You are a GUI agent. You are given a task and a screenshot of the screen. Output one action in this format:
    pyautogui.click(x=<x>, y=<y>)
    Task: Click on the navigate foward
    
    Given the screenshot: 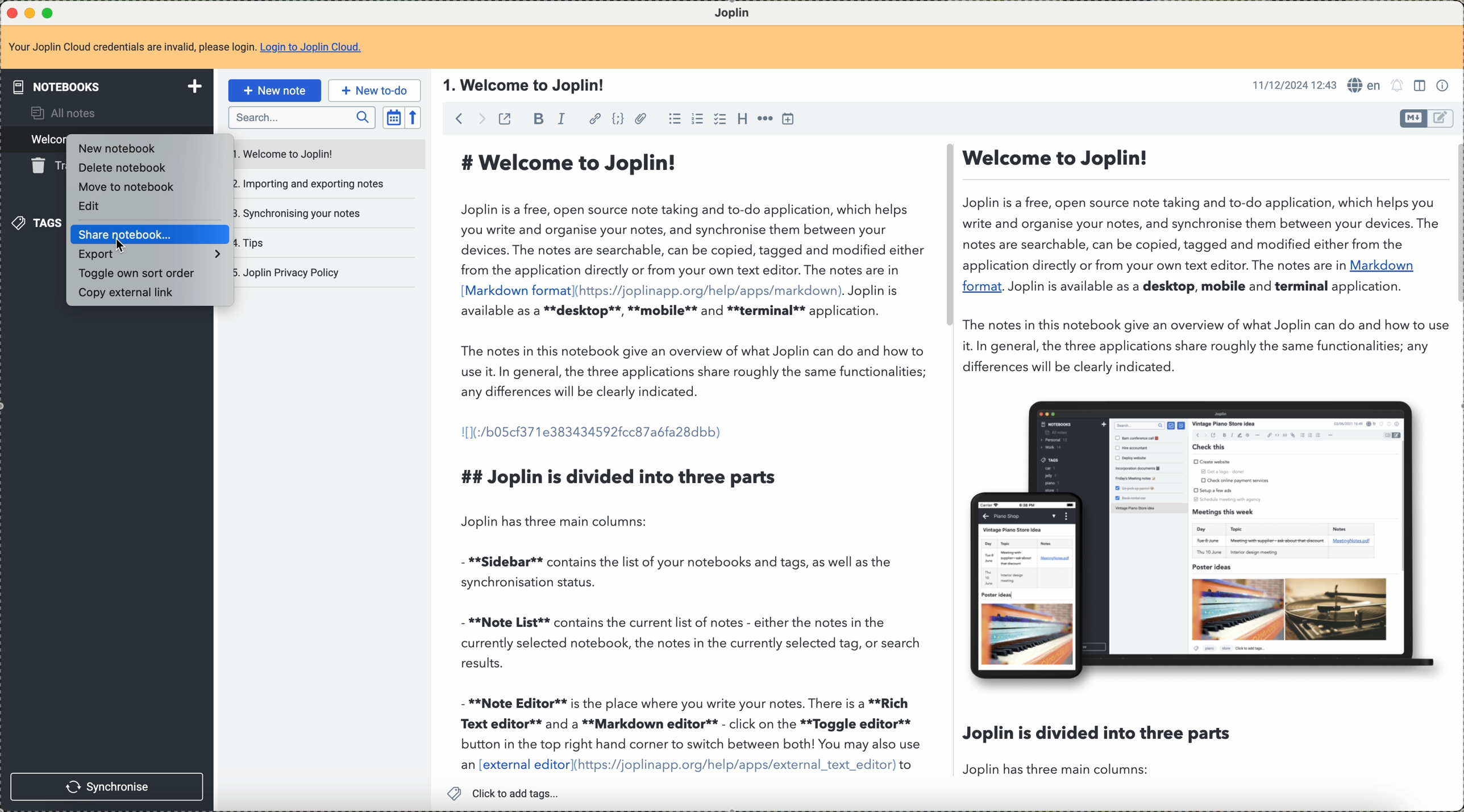 What is the action you would take?
    pyautogui.click(x=481, y=118)
    